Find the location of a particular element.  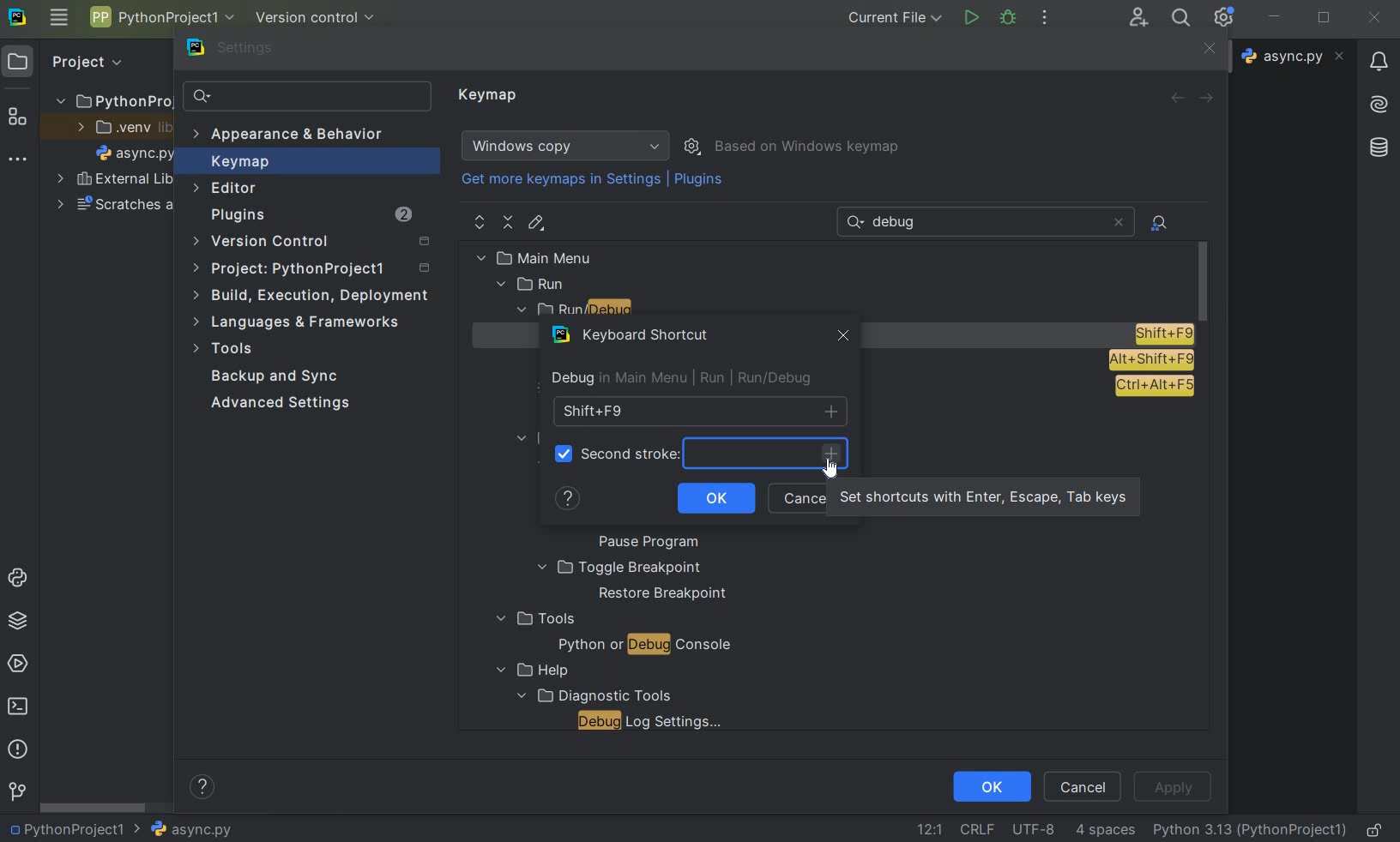

build, execution, deployment is located at coordinates (312, 295).